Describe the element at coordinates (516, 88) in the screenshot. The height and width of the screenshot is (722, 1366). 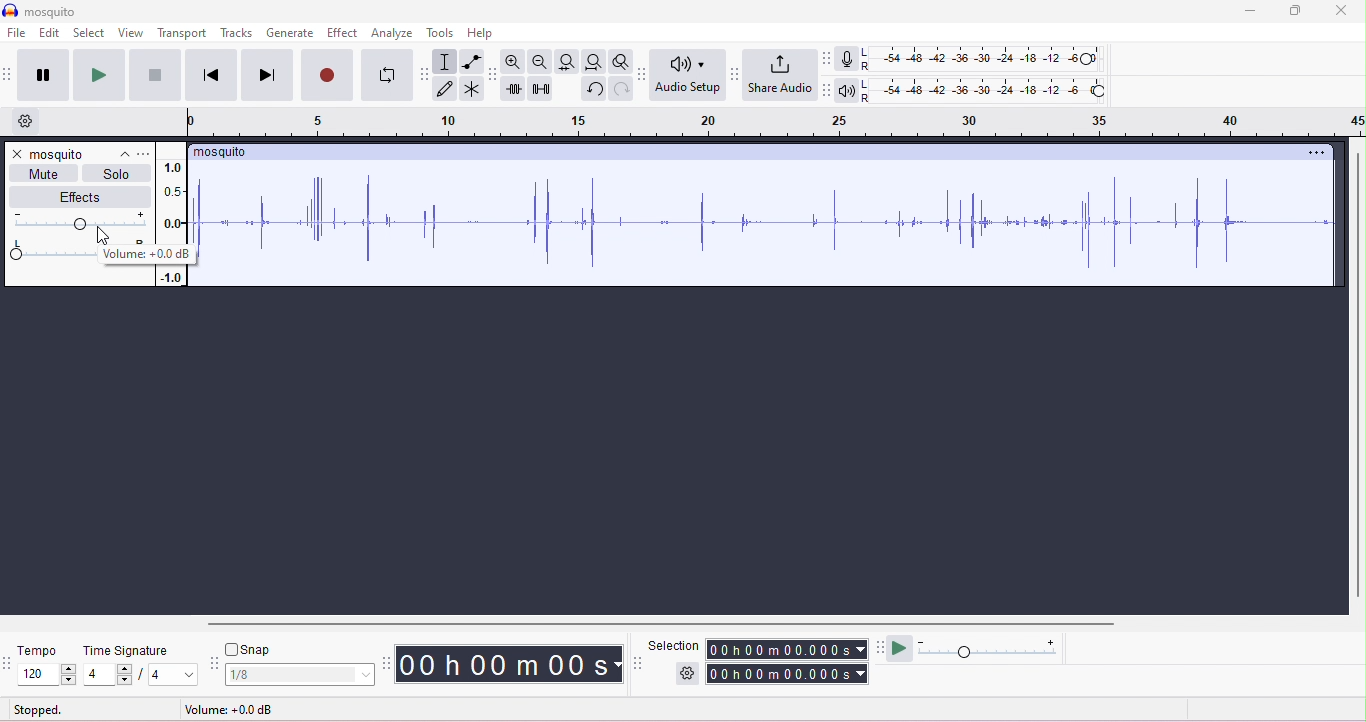
I see `trim outside selection` at that location.